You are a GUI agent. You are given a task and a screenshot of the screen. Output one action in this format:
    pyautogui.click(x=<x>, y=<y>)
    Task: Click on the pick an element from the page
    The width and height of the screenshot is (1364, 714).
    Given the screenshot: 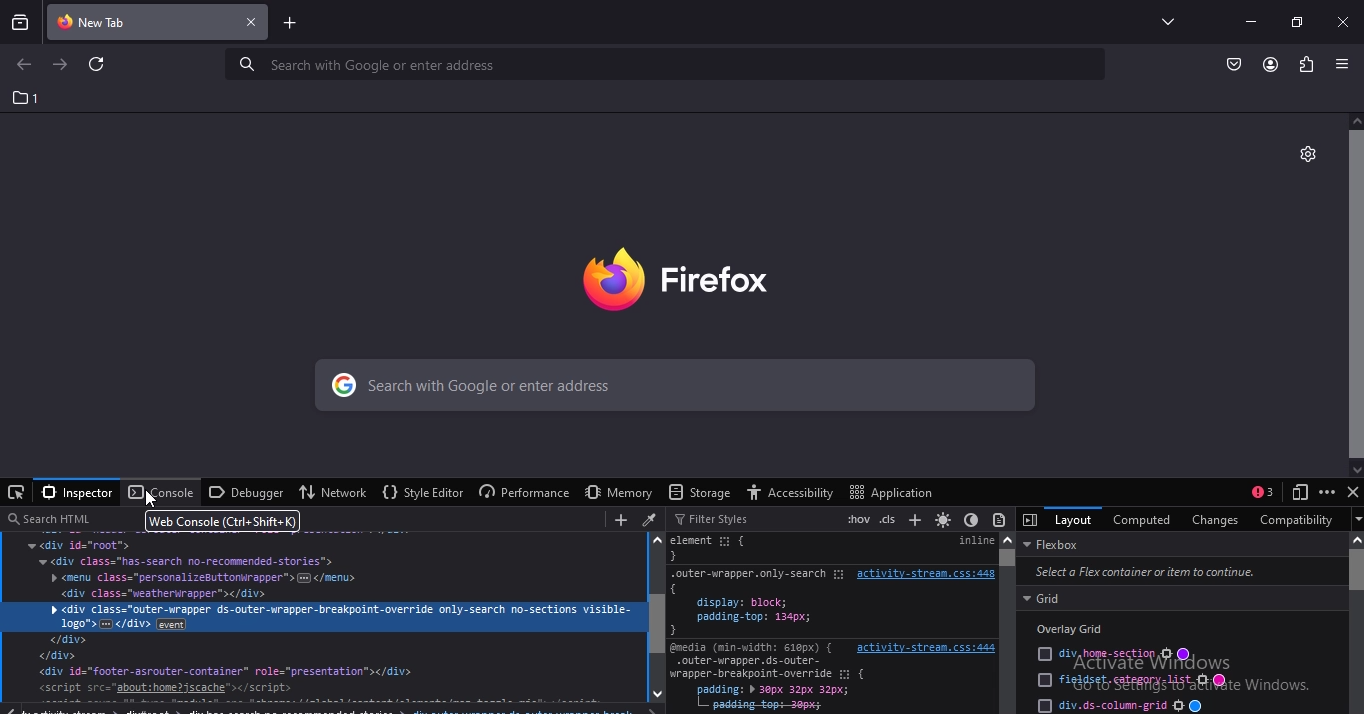 What is the action you would take?
    pyautogui.click(x=16, y=493)
    